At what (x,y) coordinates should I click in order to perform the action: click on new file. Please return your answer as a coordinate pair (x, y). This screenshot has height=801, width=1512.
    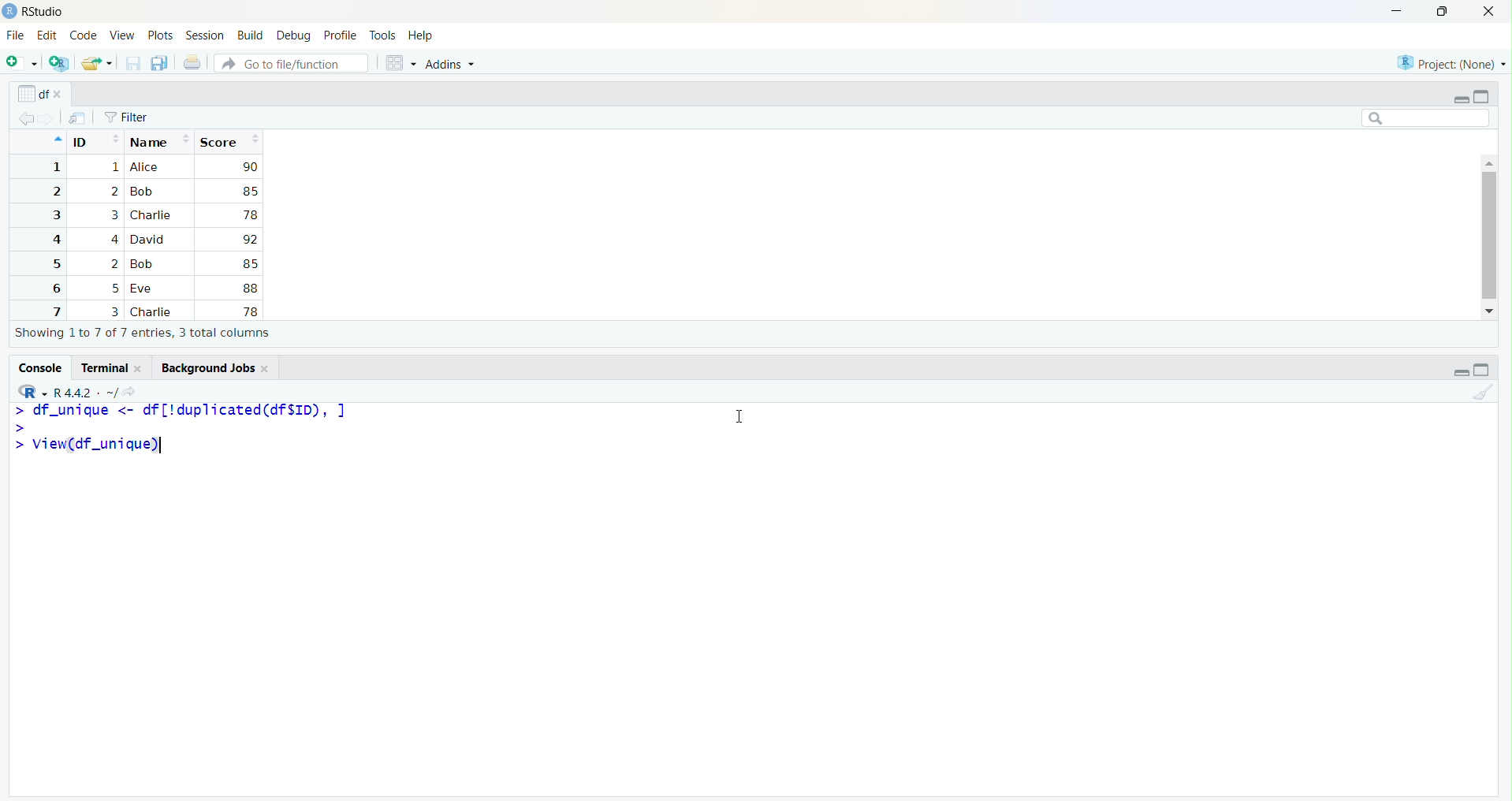
    Looking at the image, I should click on (23, 62).